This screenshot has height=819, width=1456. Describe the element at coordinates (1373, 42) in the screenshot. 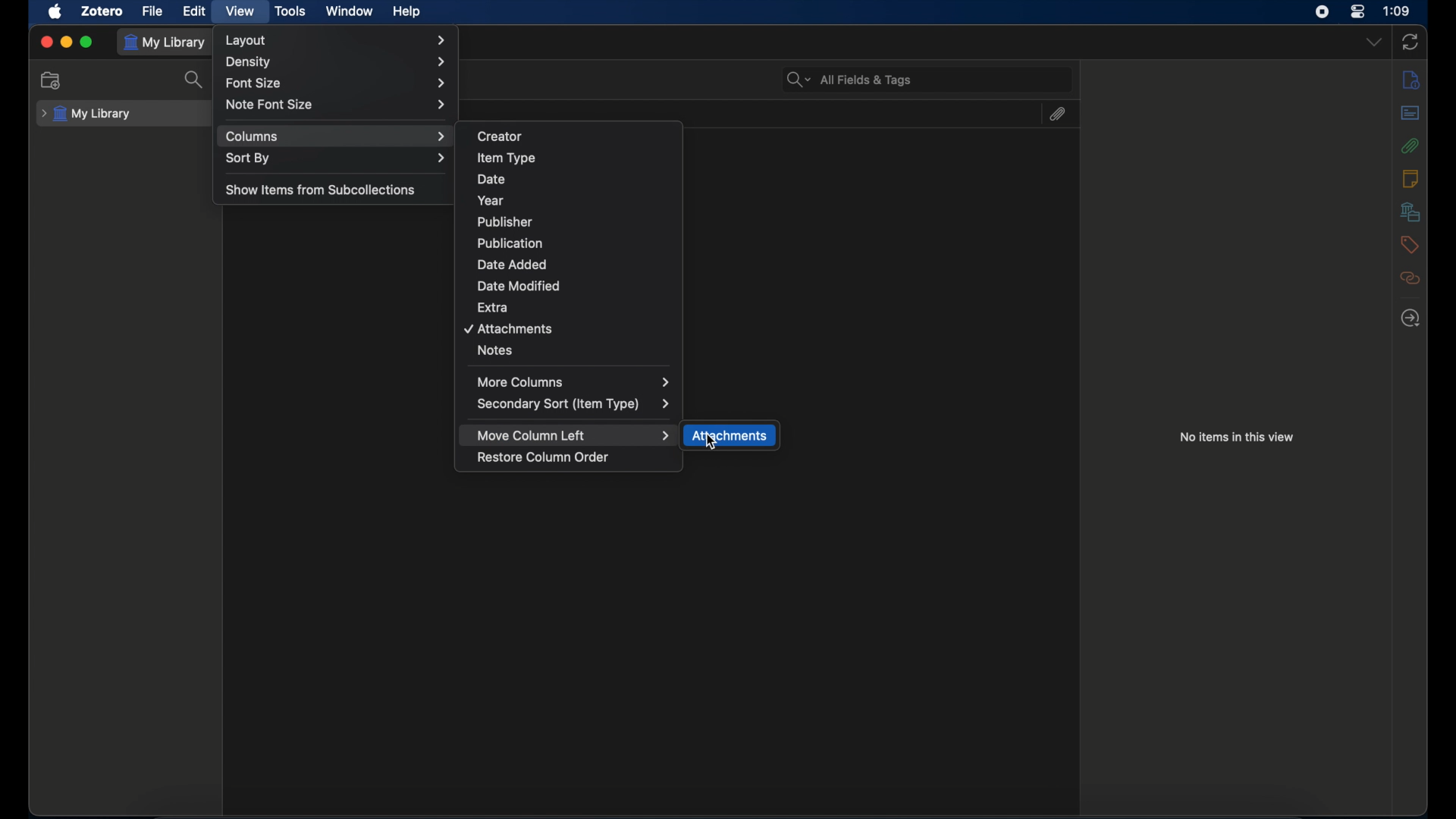

I see `dropdown` at that location.